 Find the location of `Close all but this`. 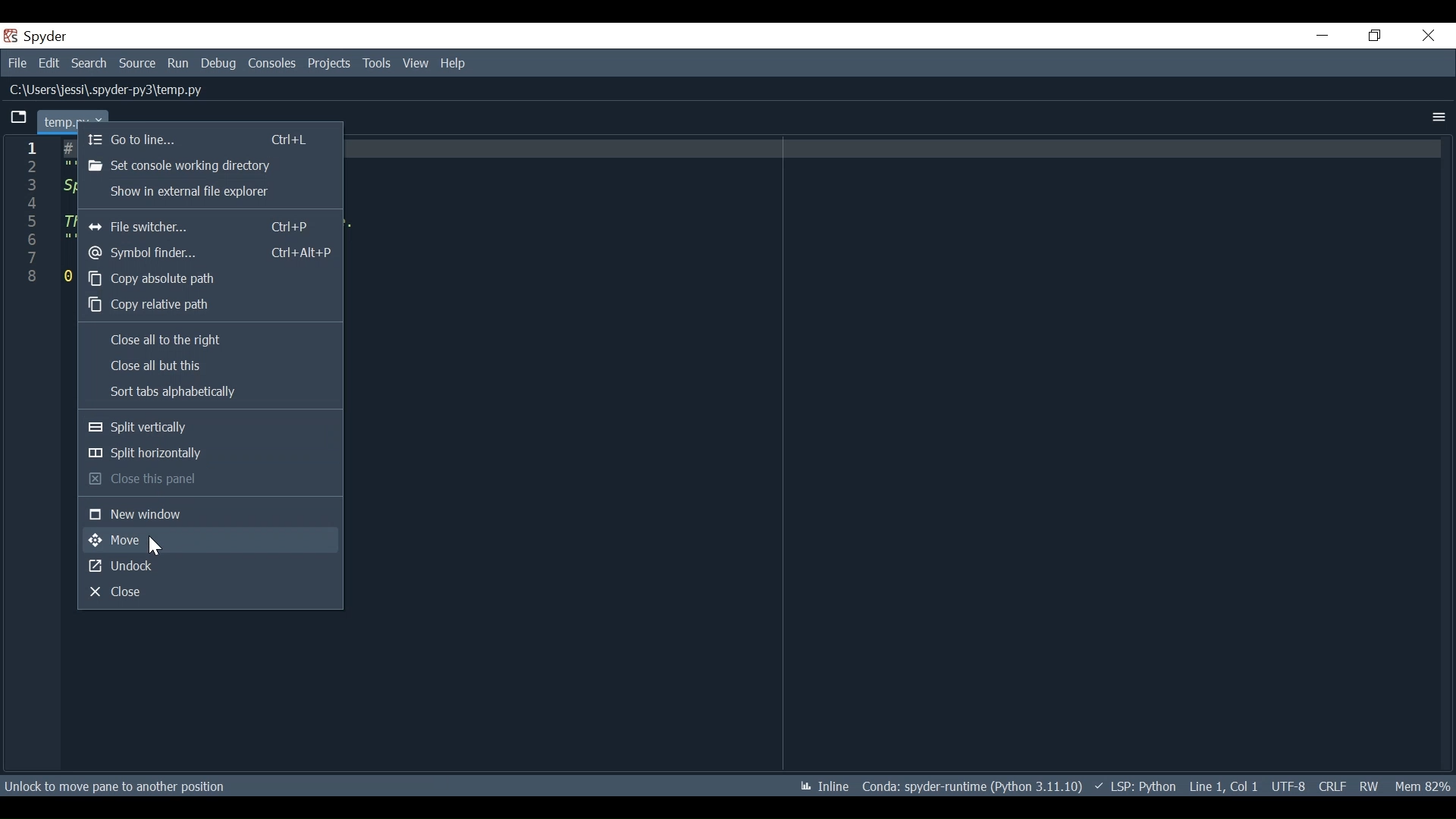

Close all but this is located at coordinates (211, 365).